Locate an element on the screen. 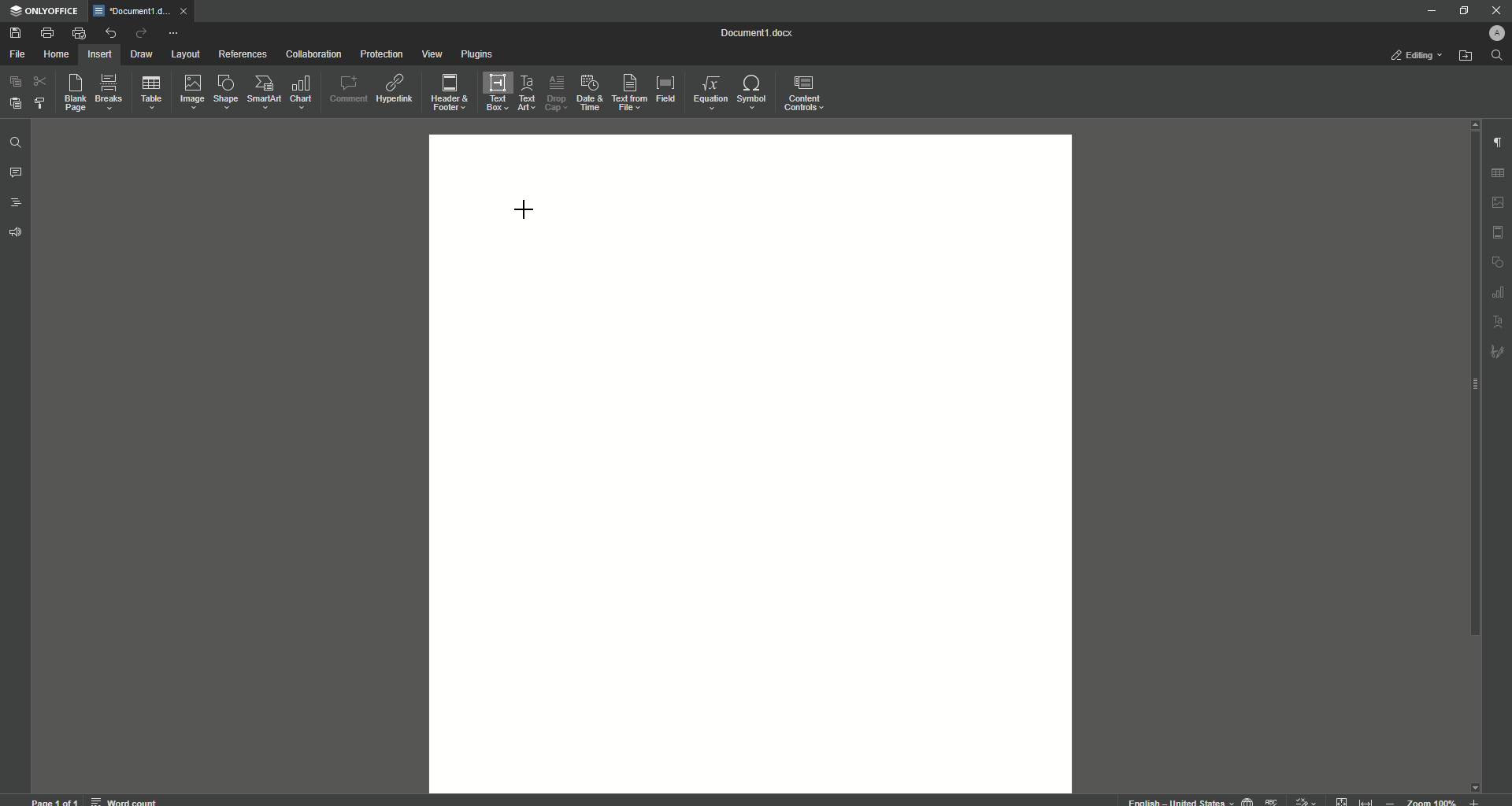 The width and height of the screenshot is (1512, 806). HEADER & FOOTER is located at coordinates (1498, 233).